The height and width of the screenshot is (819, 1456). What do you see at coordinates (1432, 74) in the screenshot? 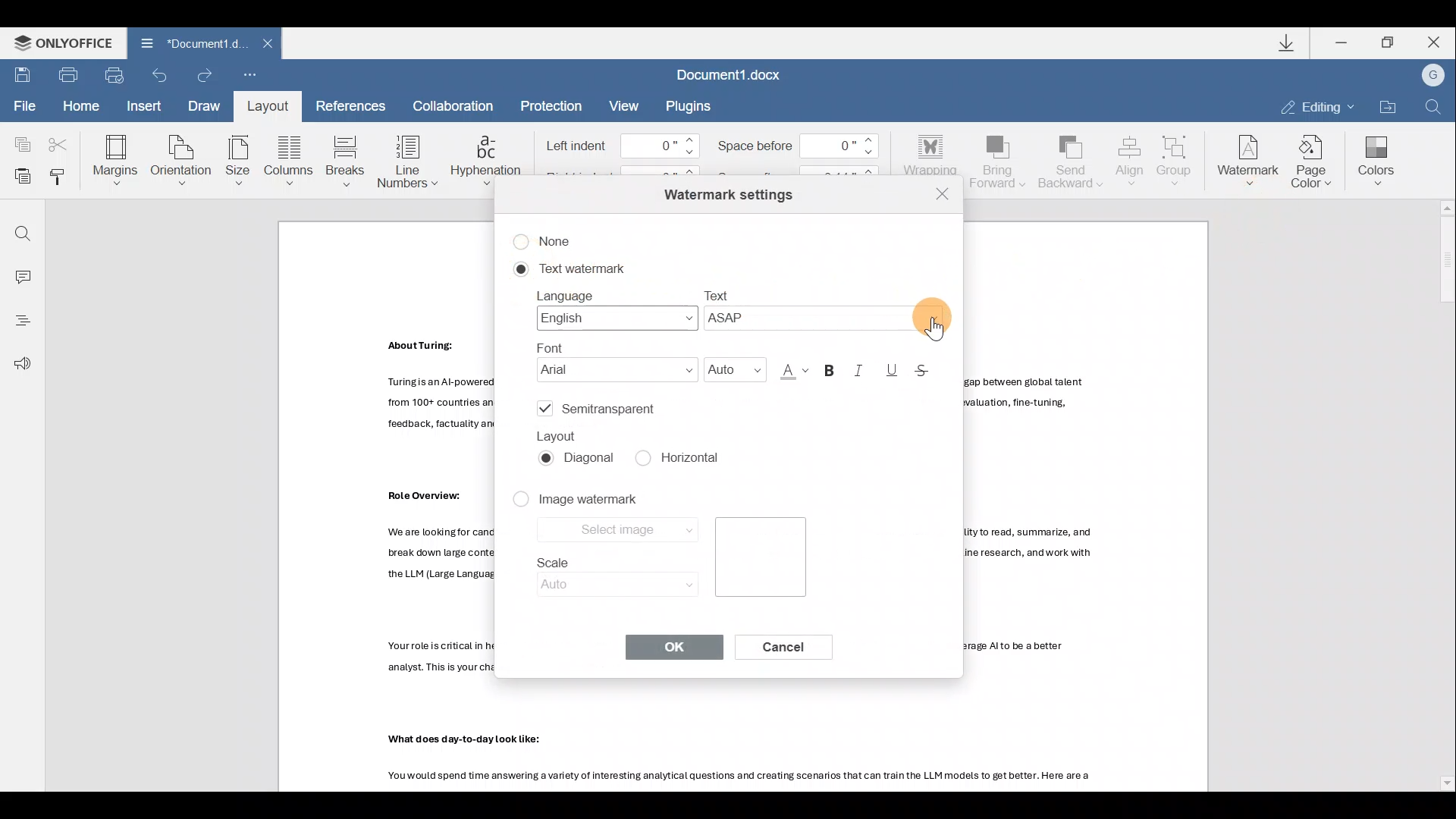
I see `Account name` at bounding box center [1432, 74].